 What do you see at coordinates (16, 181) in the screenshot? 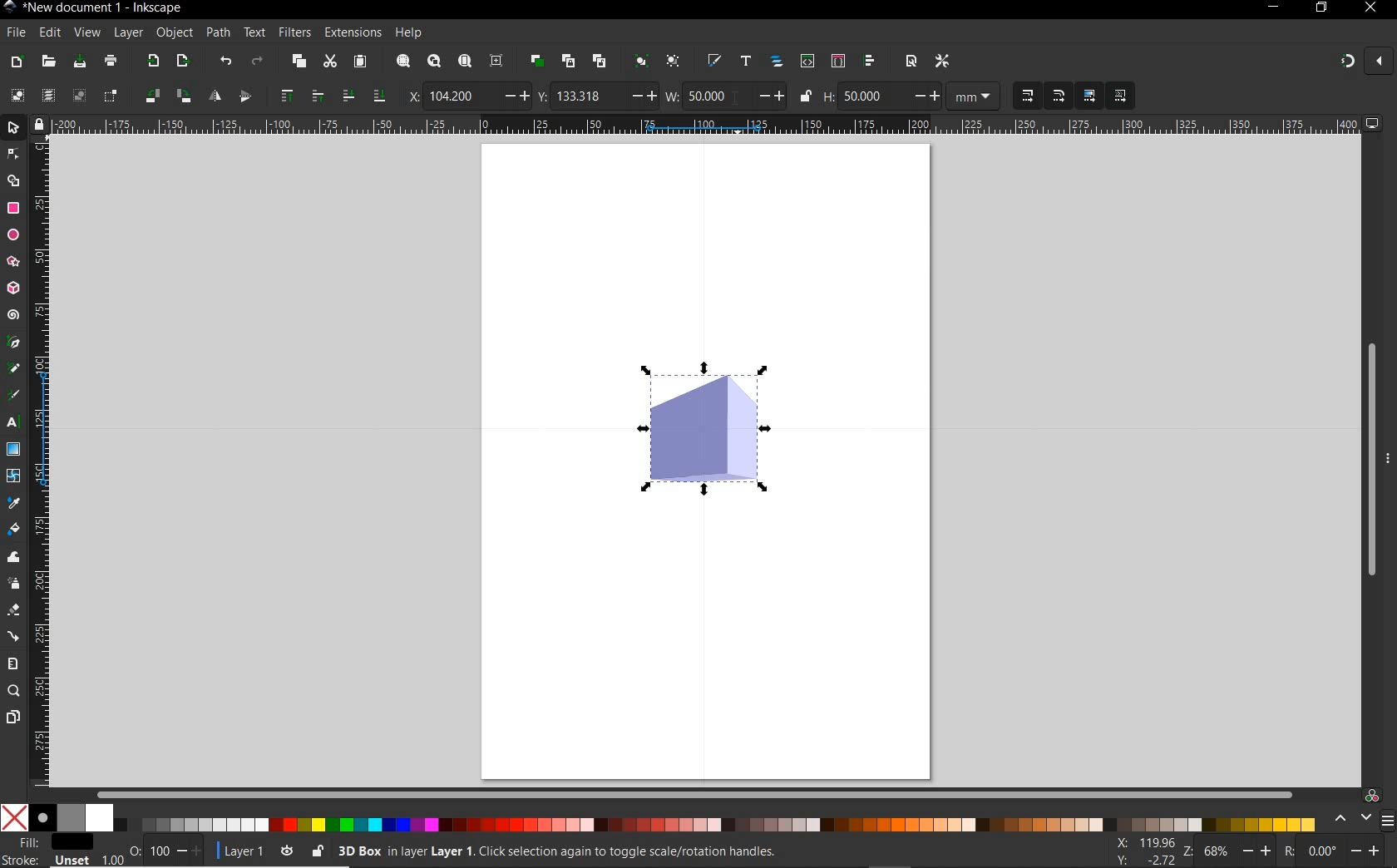
I see `shape builder tool` at bounding box center [16, 181].